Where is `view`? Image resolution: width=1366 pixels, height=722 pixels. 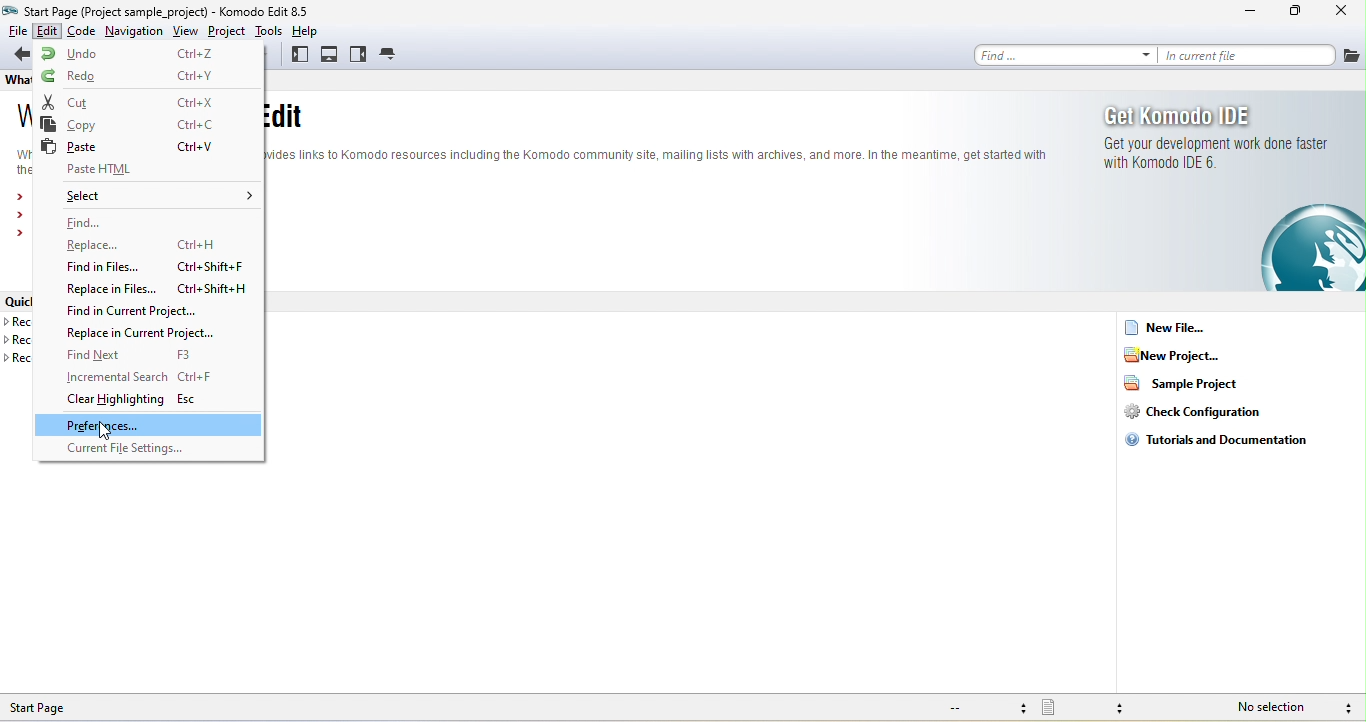
view is located at coordinates (184, 30).